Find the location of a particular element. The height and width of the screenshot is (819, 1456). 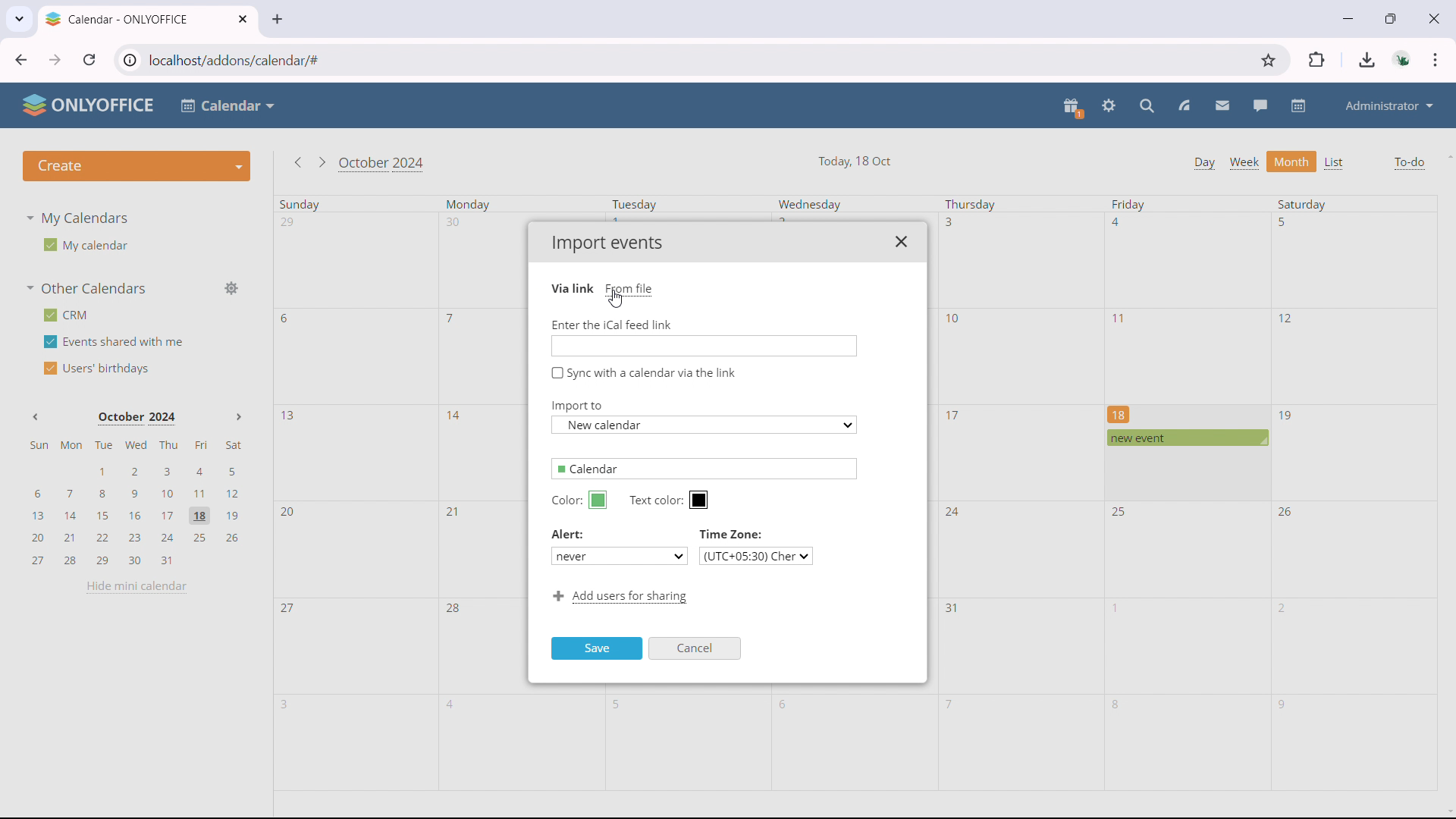

minimize is located at coordinates (1346, 17).